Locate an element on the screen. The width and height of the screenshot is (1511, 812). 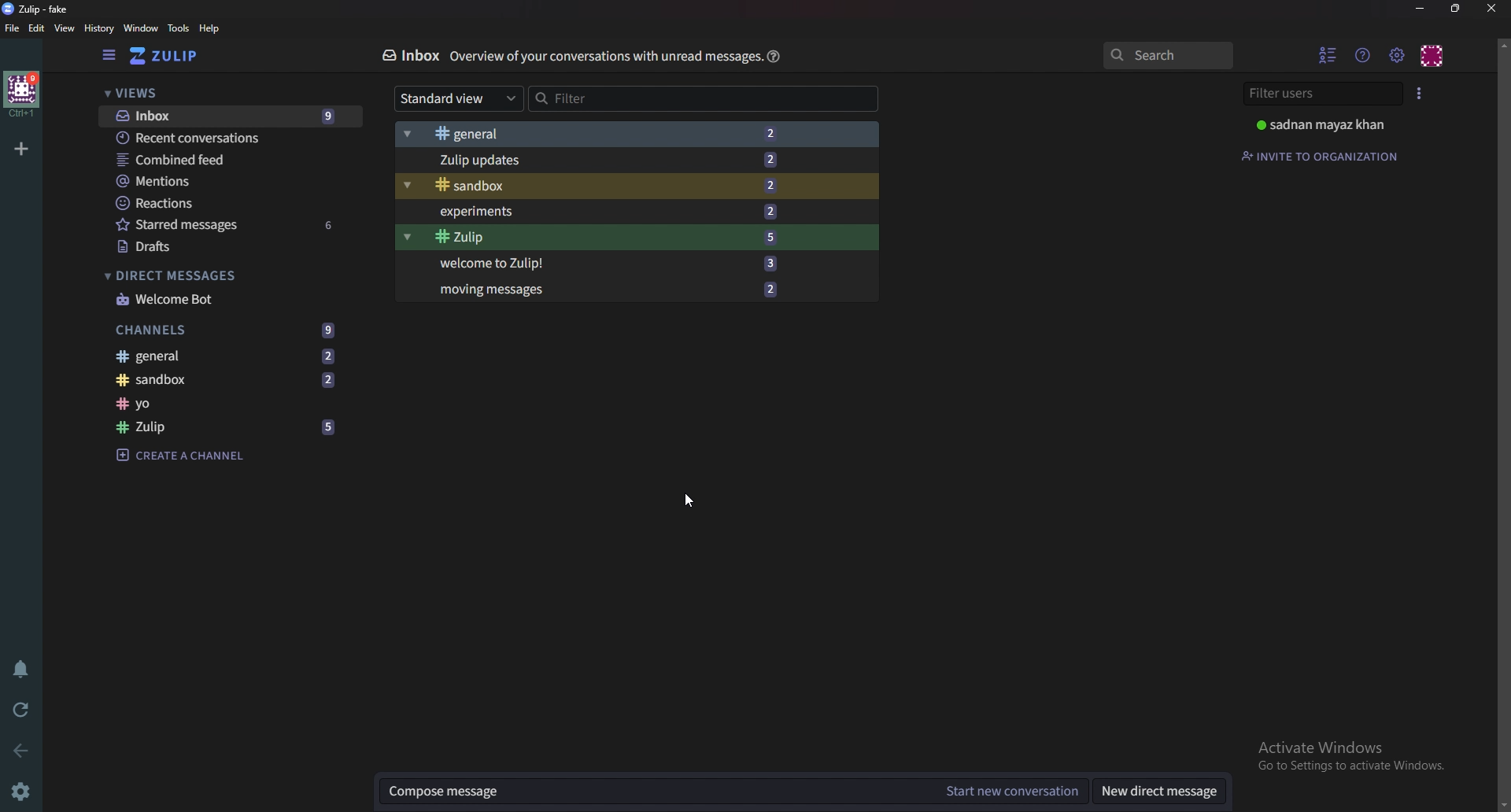
starred messages is located at coordinates (231, 224).